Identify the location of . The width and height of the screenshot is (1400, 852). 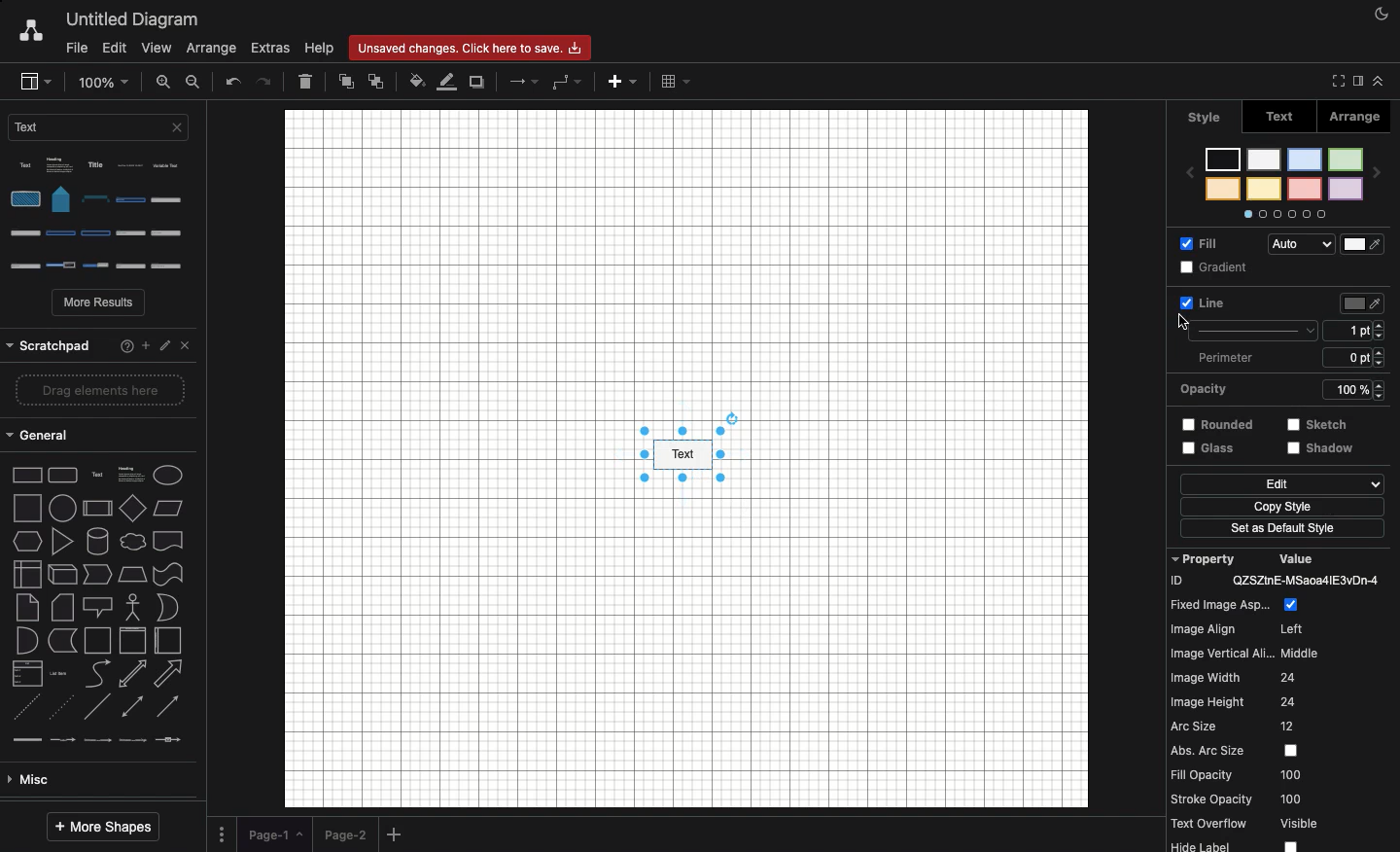
(97, 340).